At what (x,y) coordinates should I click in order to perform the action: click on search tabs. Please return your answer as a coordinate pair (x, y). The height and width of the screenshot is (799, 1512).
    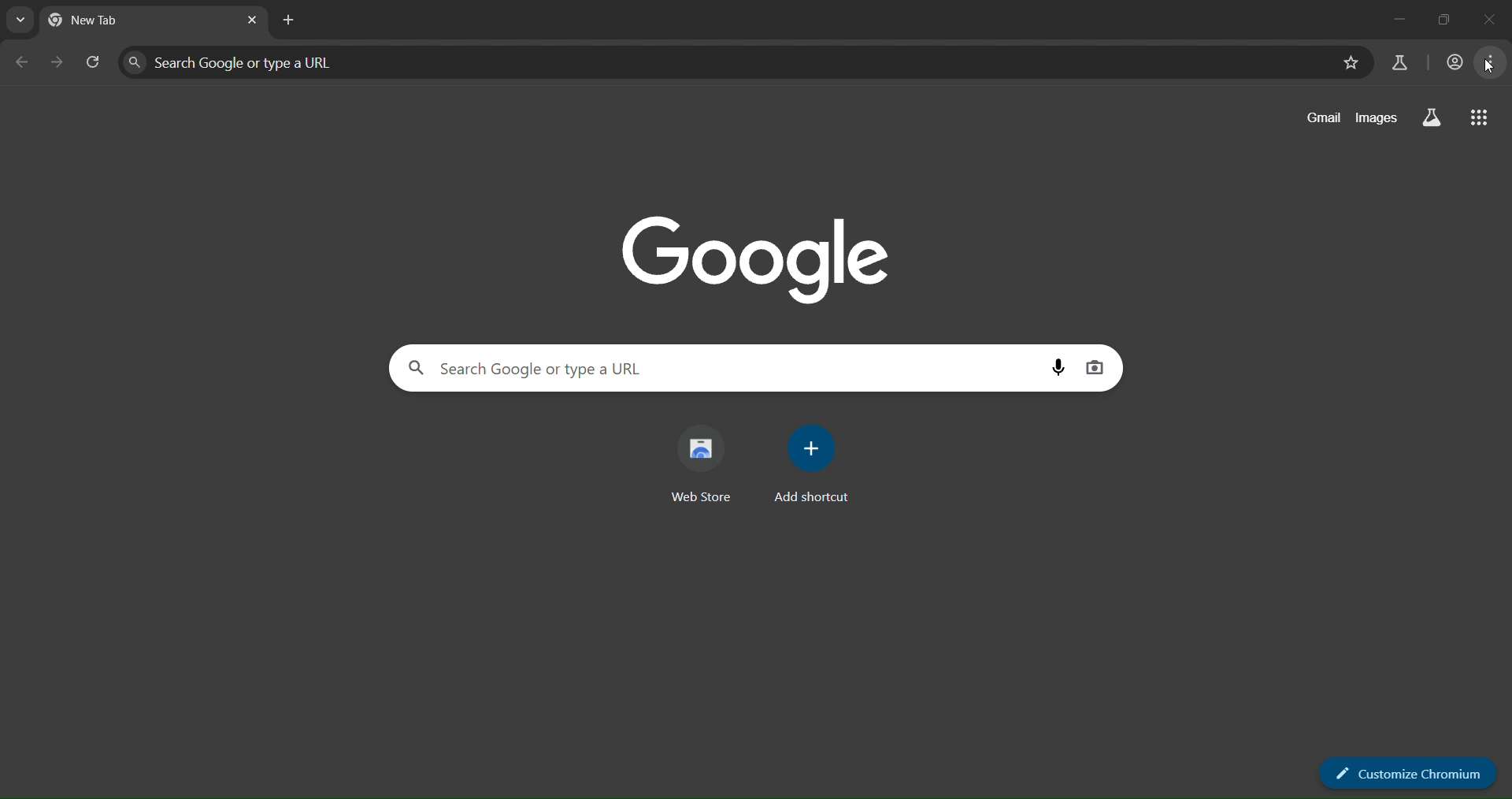
    Looking at the image, I should click on (20, 17).